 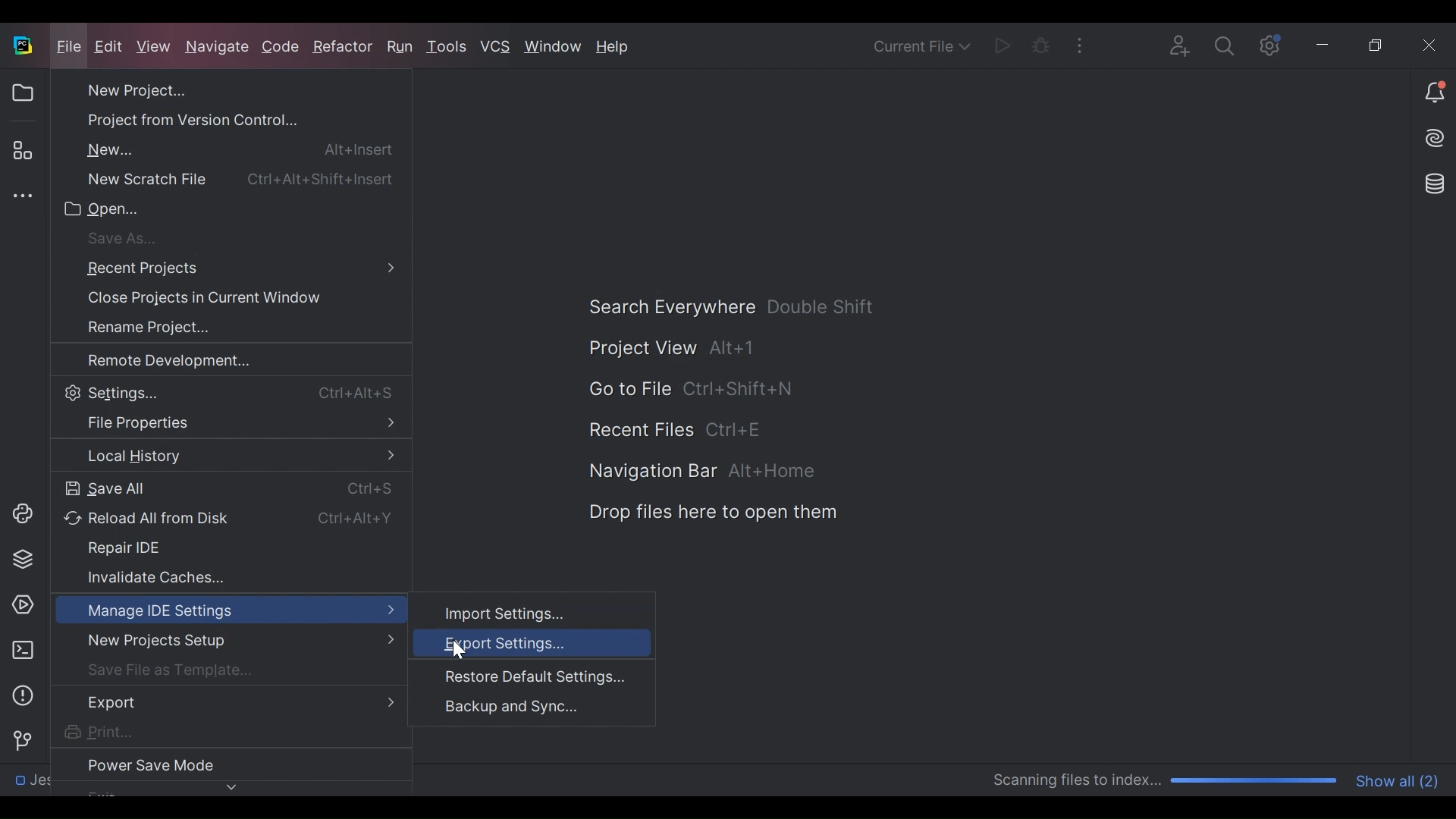 I want to click on Scanning Progress, so click(x=1166, y=781).